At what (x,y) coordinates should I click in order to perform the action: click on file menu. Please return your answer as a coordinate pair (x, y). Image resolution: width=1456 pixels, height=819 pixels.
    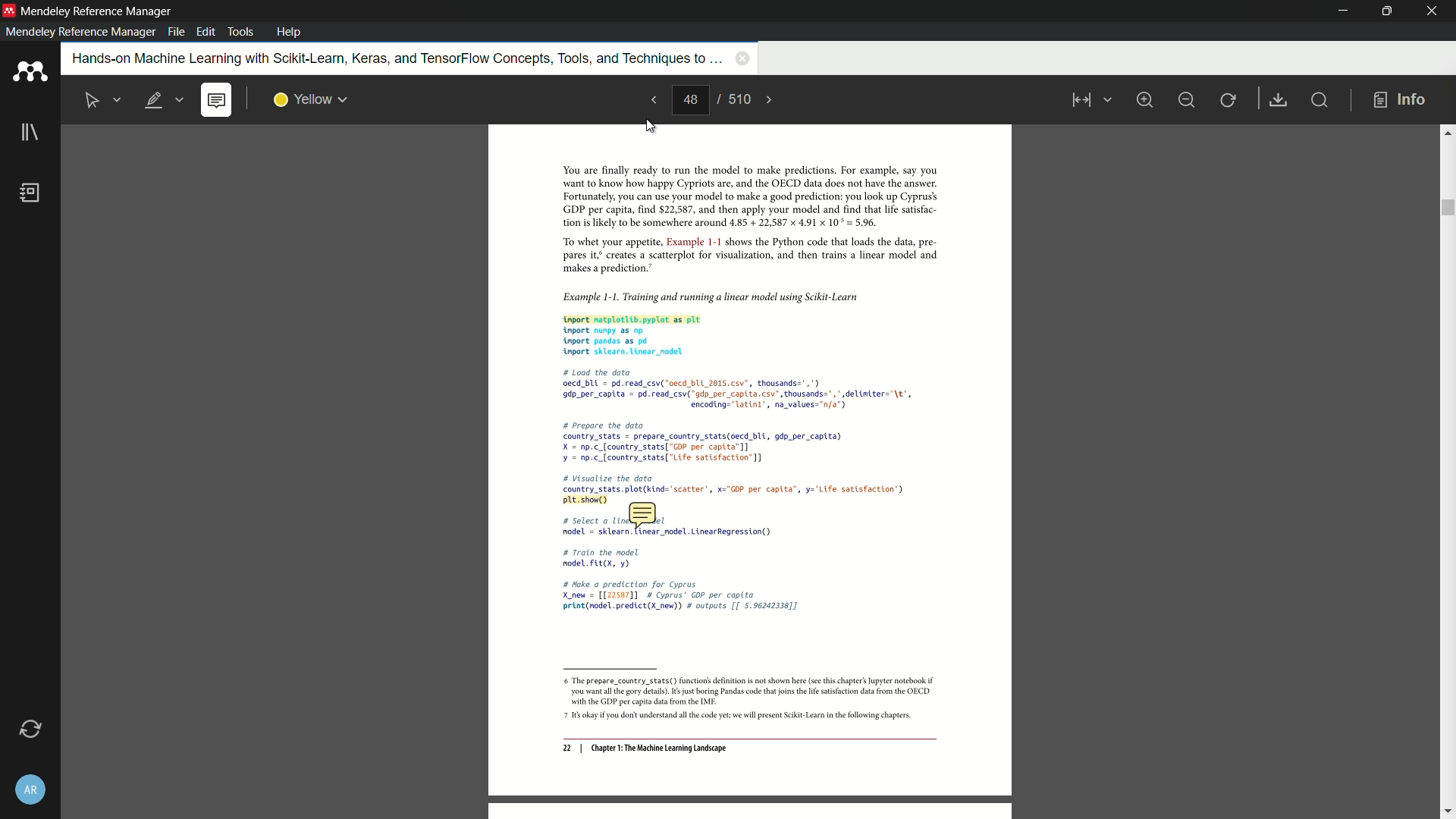
    Looking at the image, I should click on (176, 32).